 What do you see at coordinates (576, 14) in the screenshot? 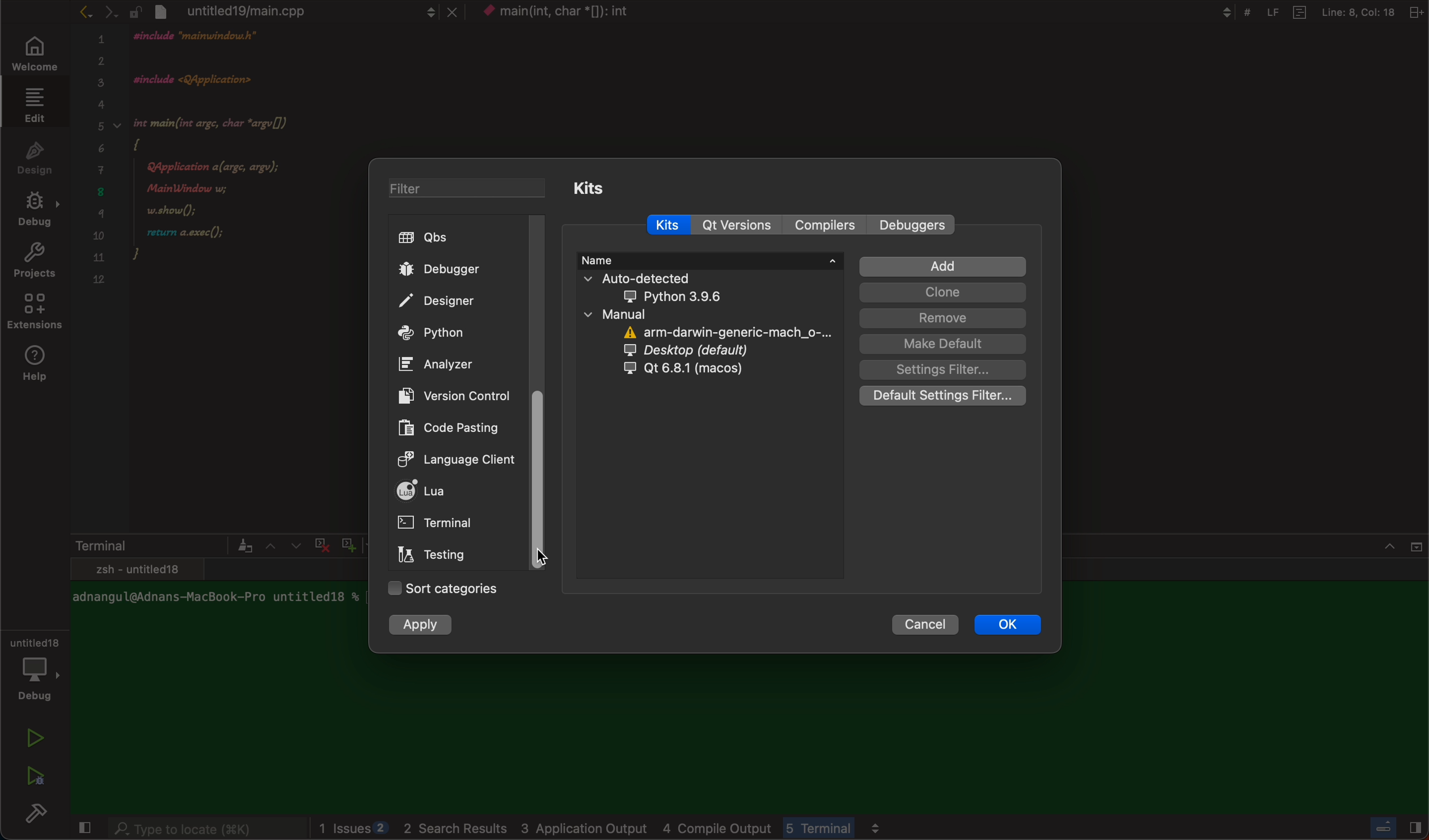
I see `file name` at bounding box center [576, 14].